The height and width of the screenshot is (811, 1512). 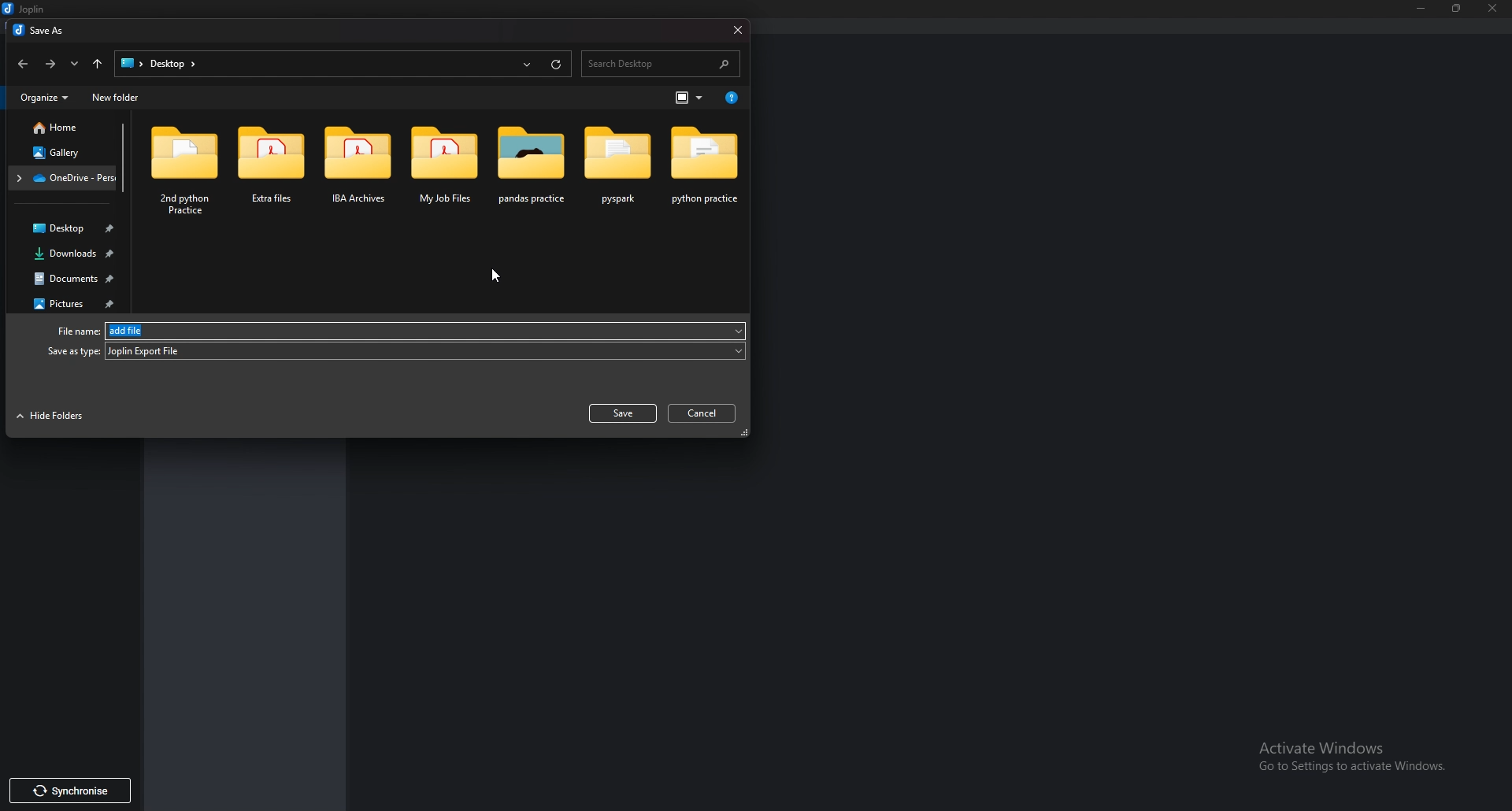 I want to click on Recent, so click(x=525, y=63).